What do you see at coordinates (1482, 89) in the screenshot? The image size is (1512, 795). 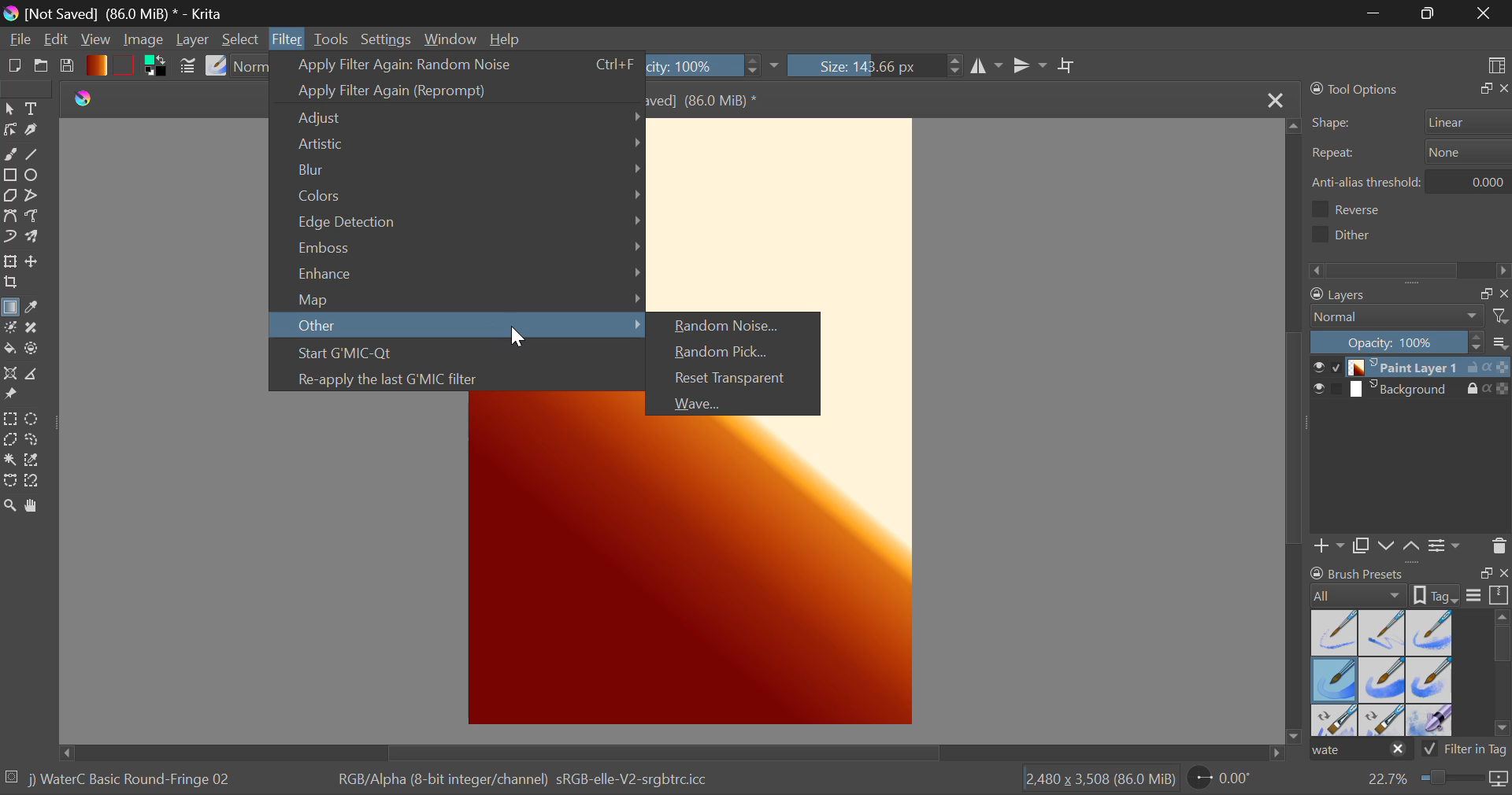 I see `expand ` at bounding box center [1482, 89].